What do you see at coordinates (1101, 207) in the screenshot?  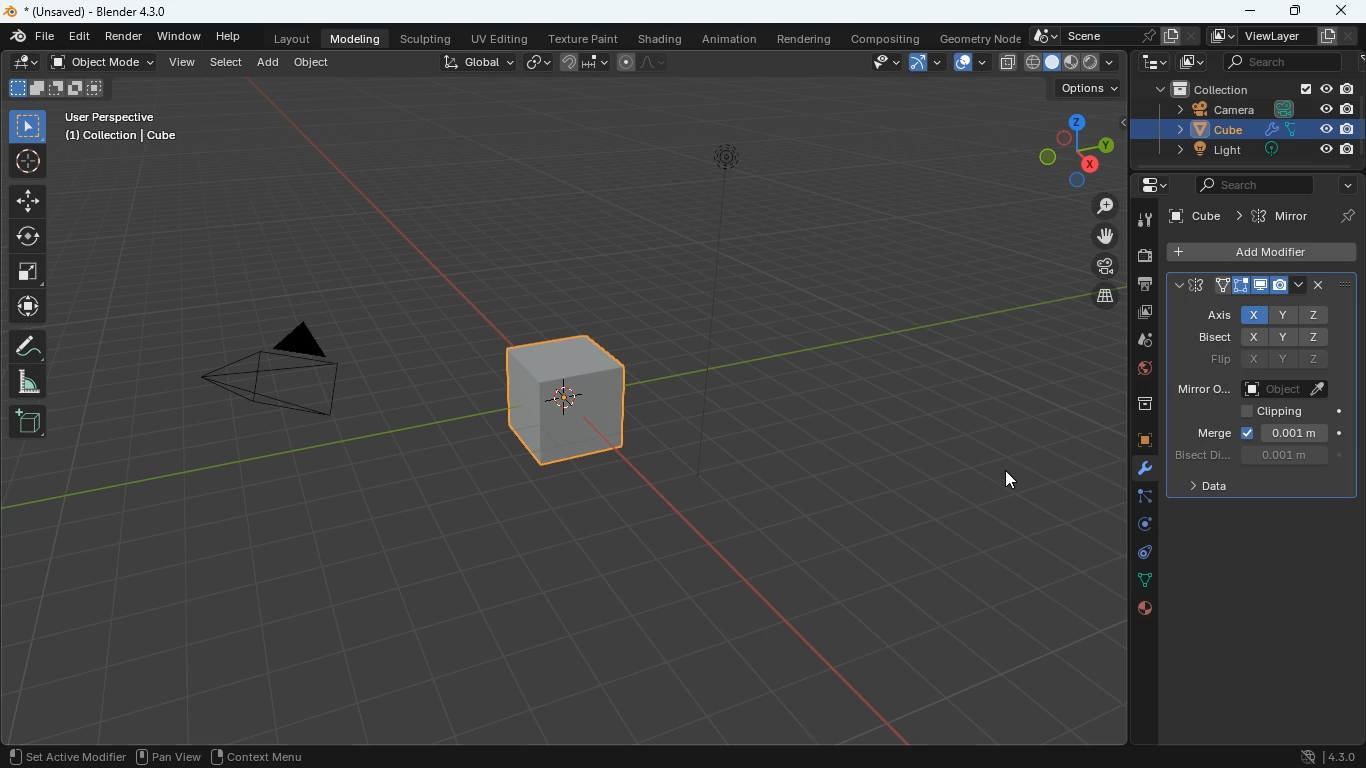 I see `zoom` at bounding box center [1101, 207].